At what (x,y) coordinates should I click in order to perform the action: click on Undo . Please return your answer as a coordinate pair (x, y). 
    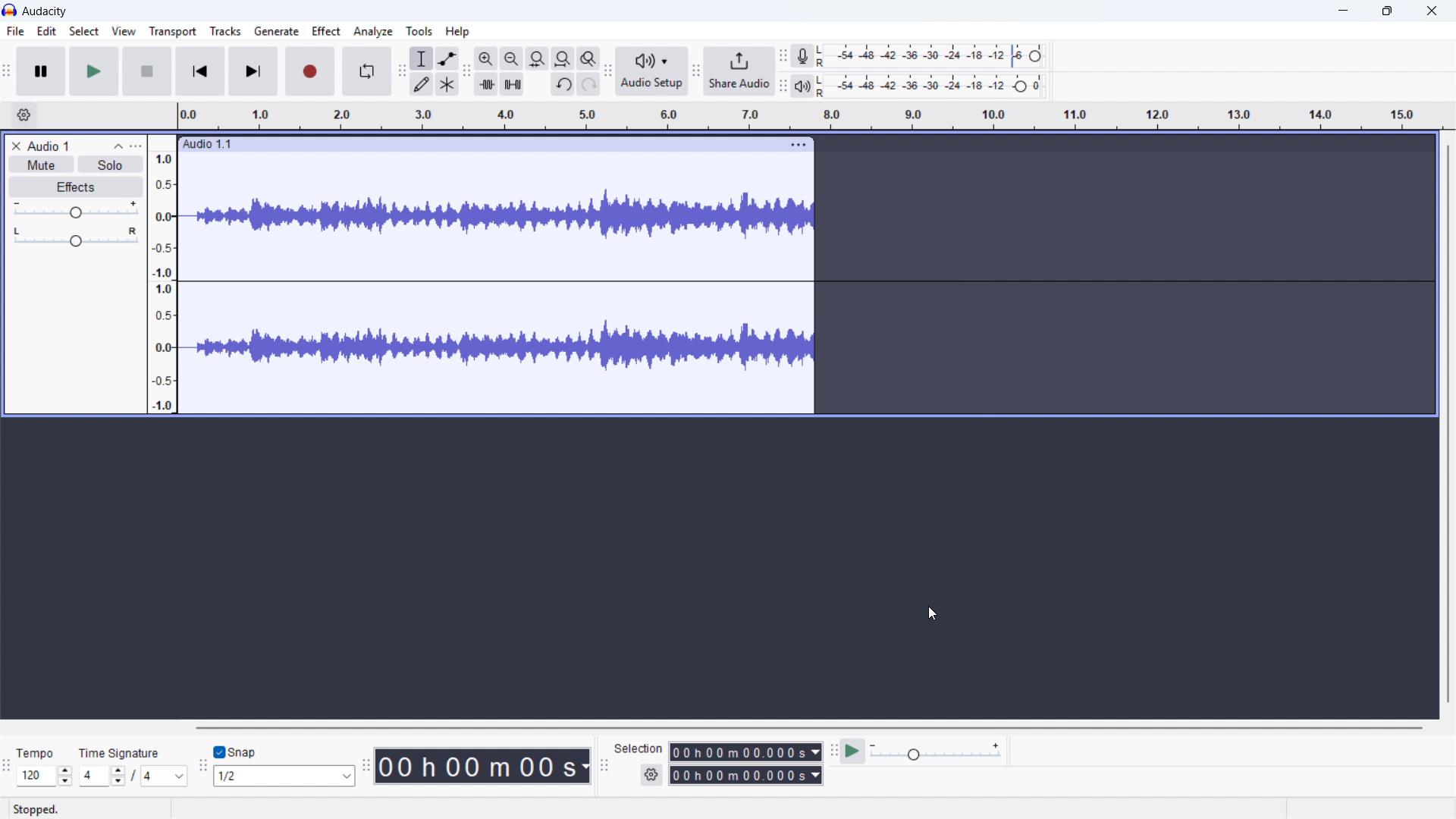
    Looking at the image, I should click on (564, 83).